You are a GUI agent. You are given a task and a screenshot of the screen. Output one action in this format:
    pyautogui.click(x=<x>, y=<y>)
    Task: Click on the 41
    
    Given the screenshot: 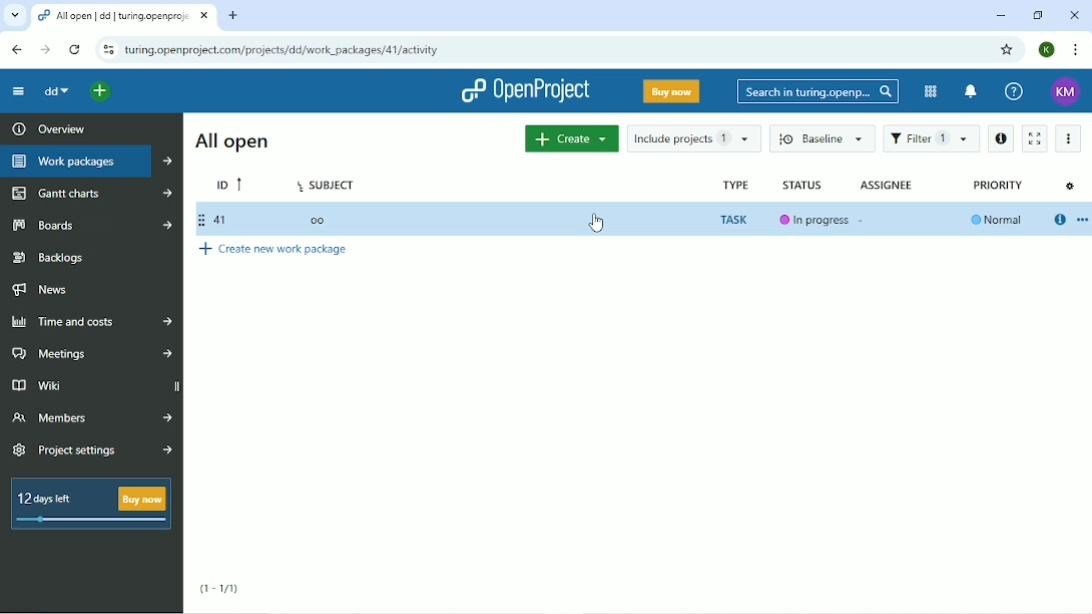 What is the action you would take?
    pyautogui.click(x=213, y=221)
    